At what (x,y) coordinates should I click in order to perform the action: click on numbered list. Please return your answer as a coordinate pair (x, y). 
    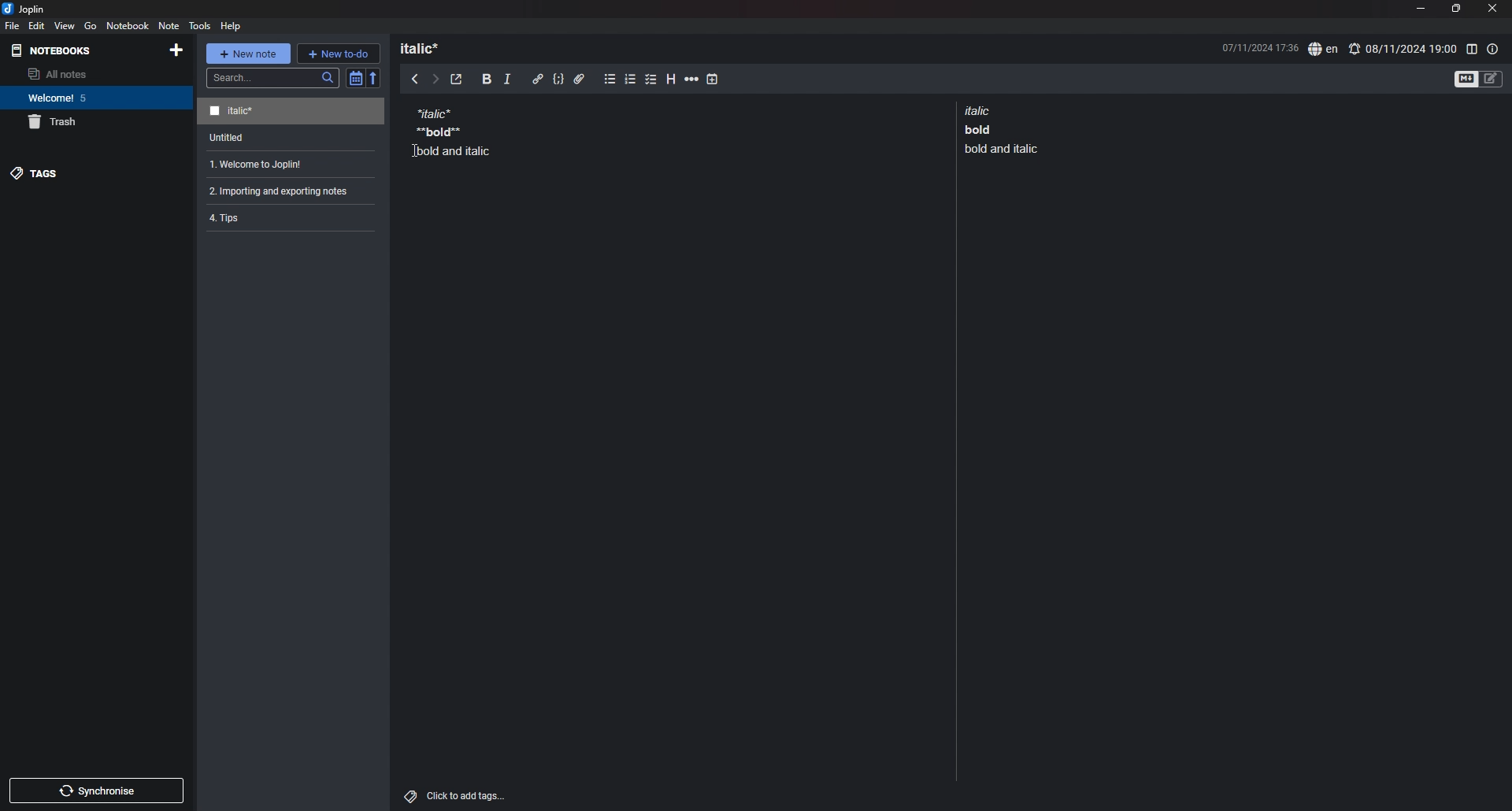
    Looking at the image, I should click on (631, 81).